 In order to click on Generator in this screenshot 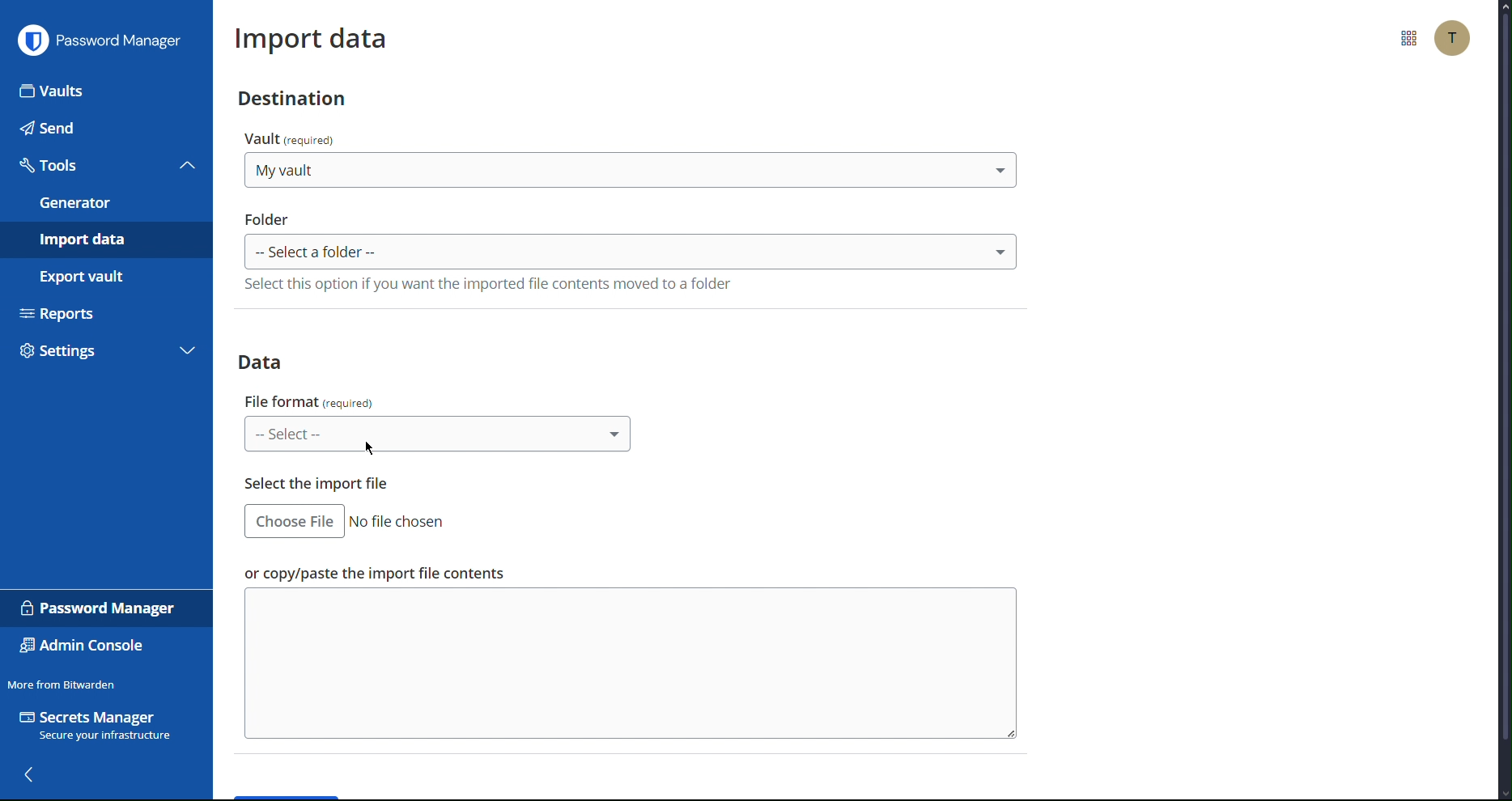, I will do `click(104, 203)`.